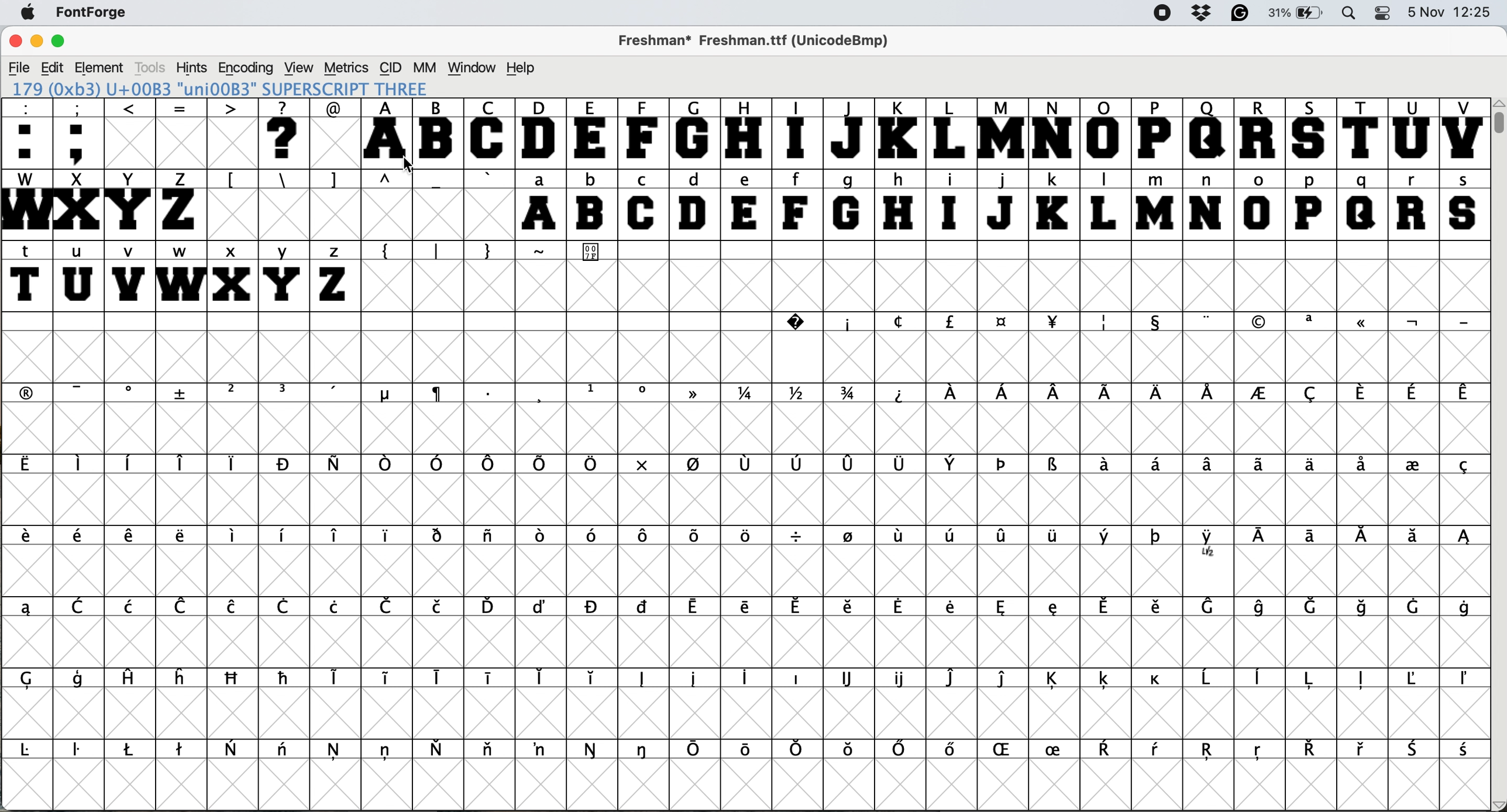 This screenshot has width=1507, height=812. Describe the element at coordinates (338, 465) in the screenshot. I see `symbol` at that location.